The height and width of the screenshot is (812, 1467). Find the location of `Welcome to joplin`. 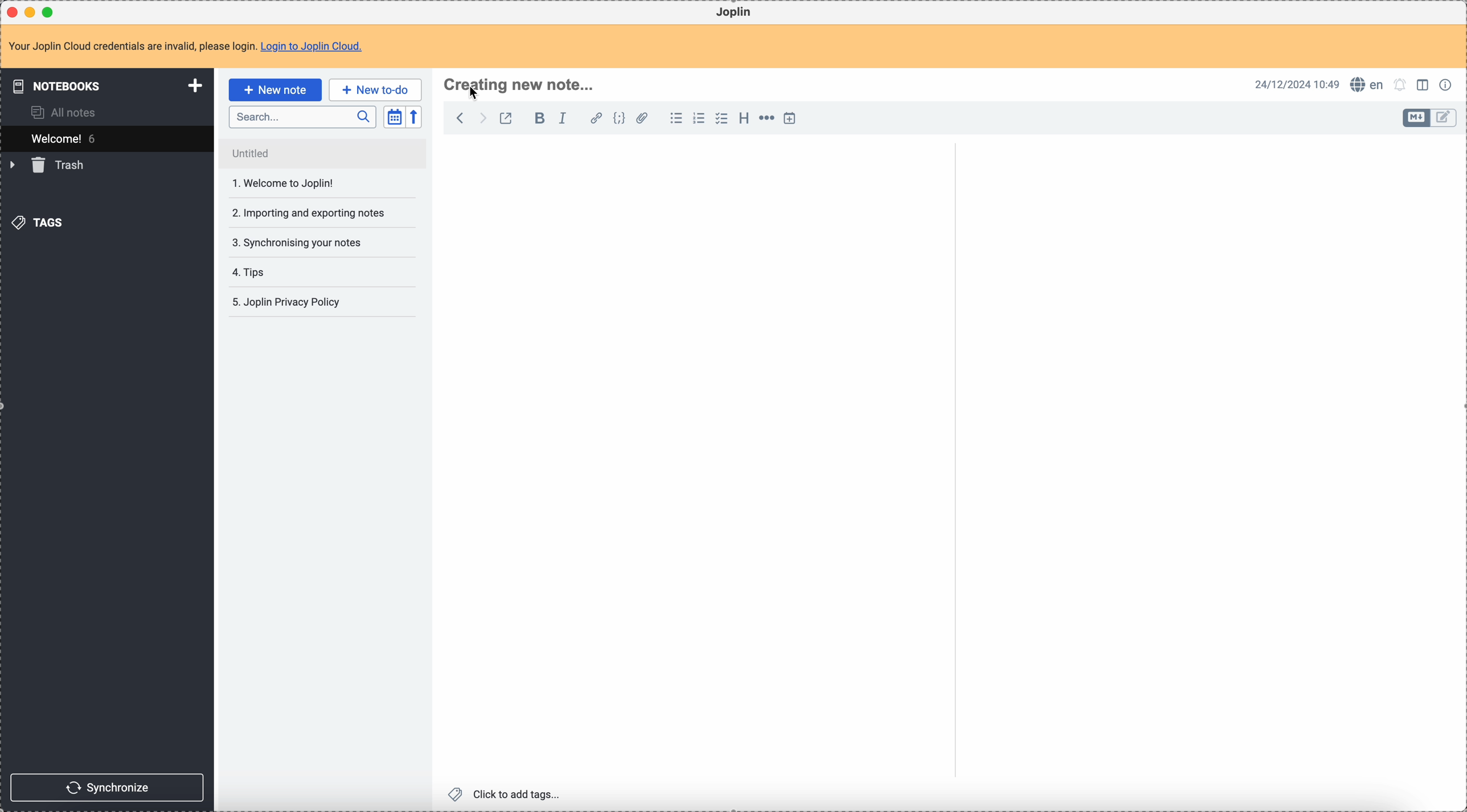

Welcome to joplin is located at coordinates (310, 186).